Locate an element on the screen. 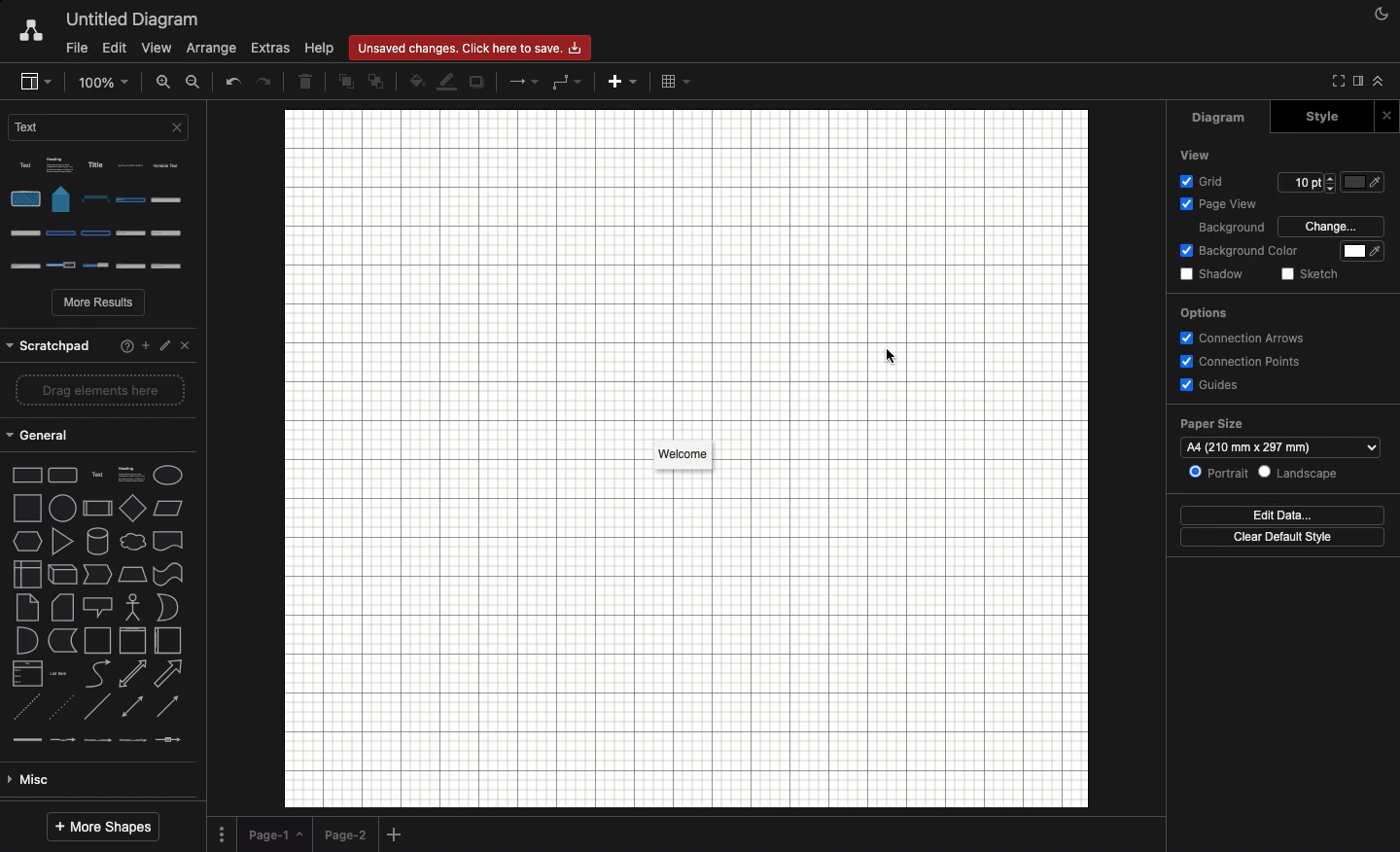  Diagram is located at coordinates (1217, 119).